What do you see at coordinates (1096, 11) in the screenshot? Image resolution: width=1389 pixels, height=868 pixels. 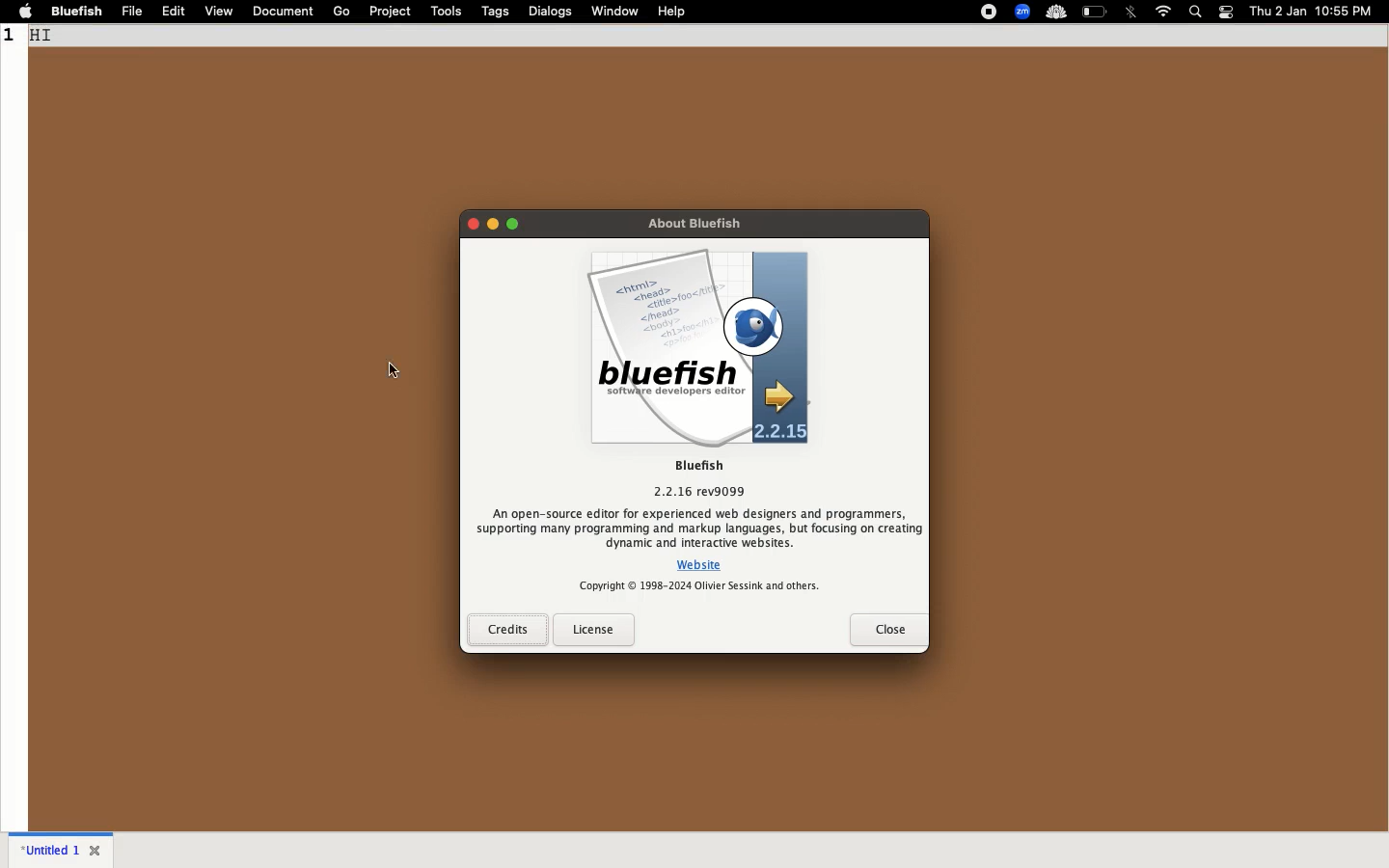 I see `charge` at bounding box center [1096, 11].